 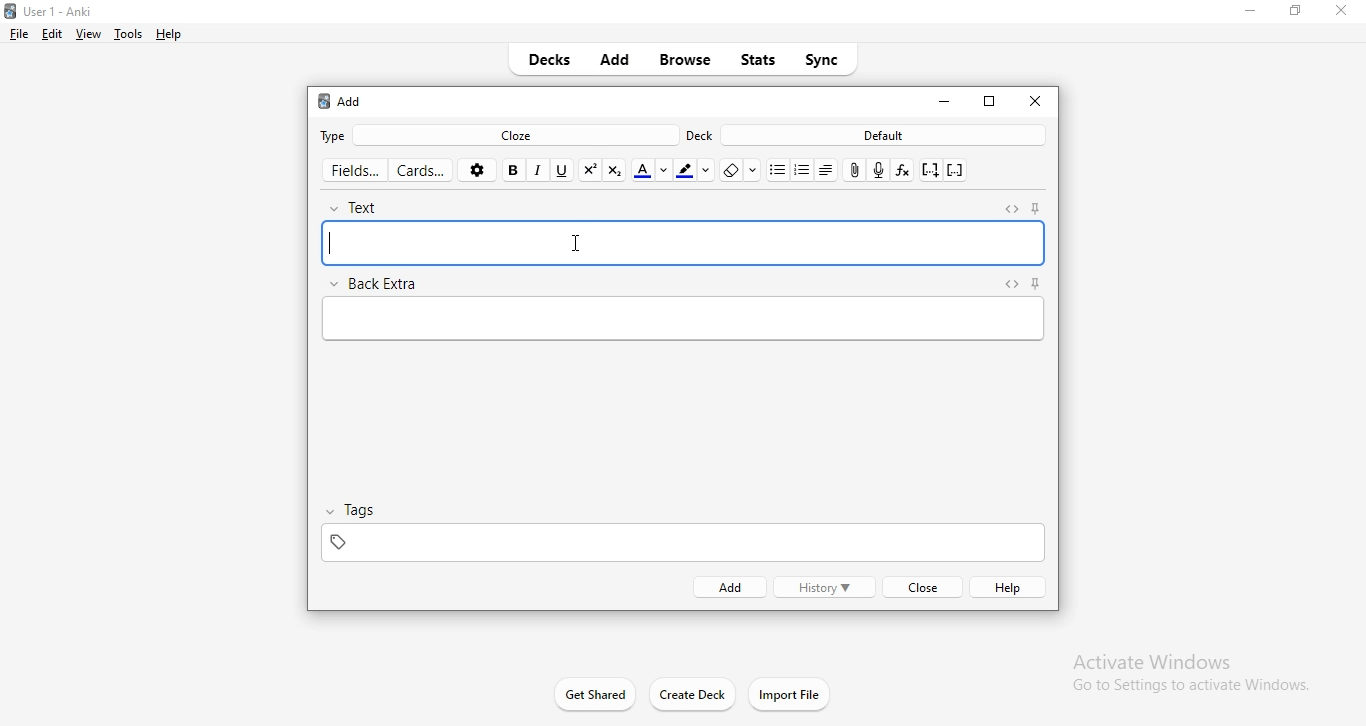 I want to click on edit, so click(x=51, y=34).